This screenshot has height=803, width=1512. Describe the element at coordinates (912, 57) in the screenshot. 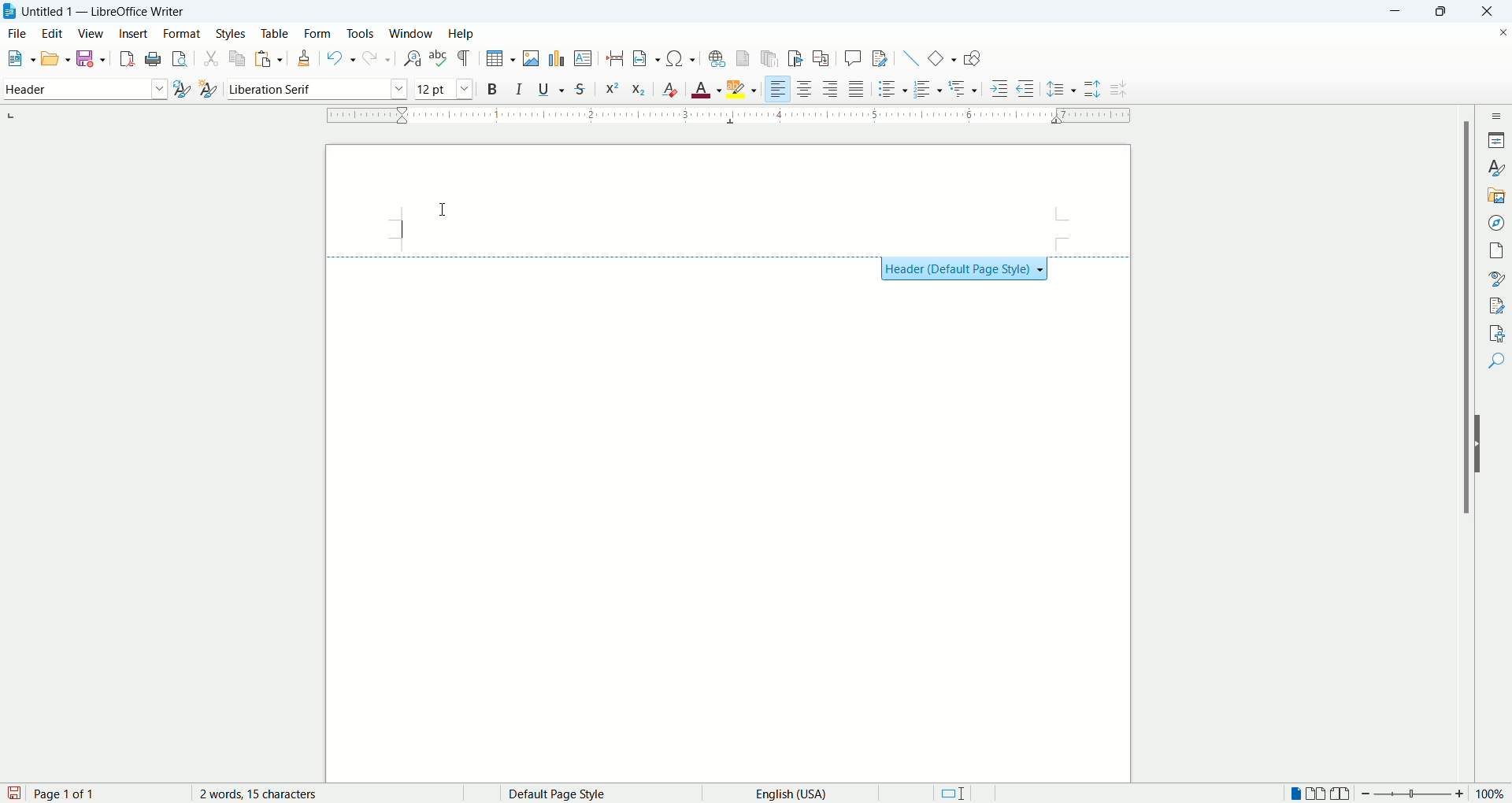

I see `insert line` at that location.